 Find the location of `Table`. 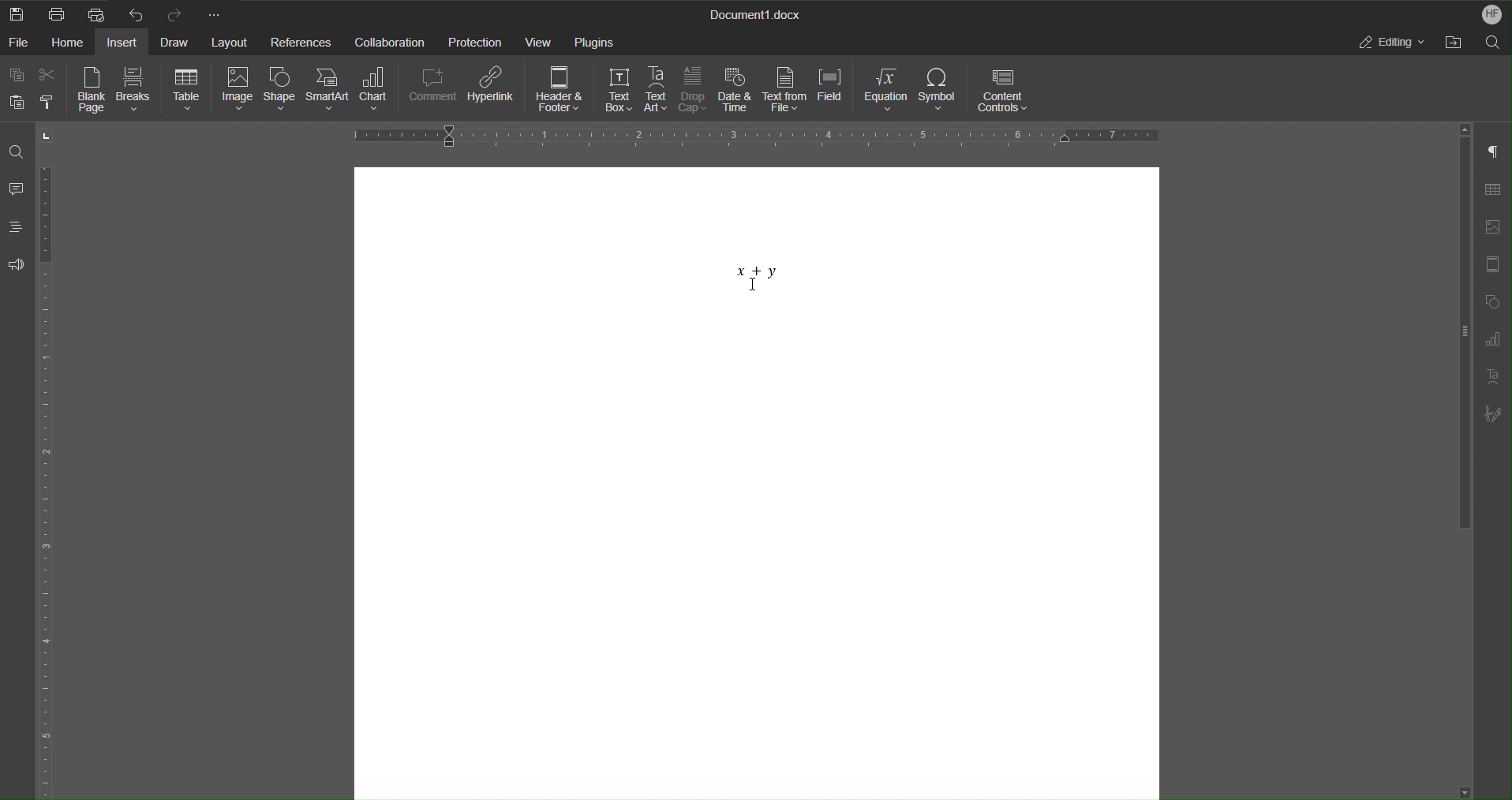

Table is located at coordinates (185, 91).